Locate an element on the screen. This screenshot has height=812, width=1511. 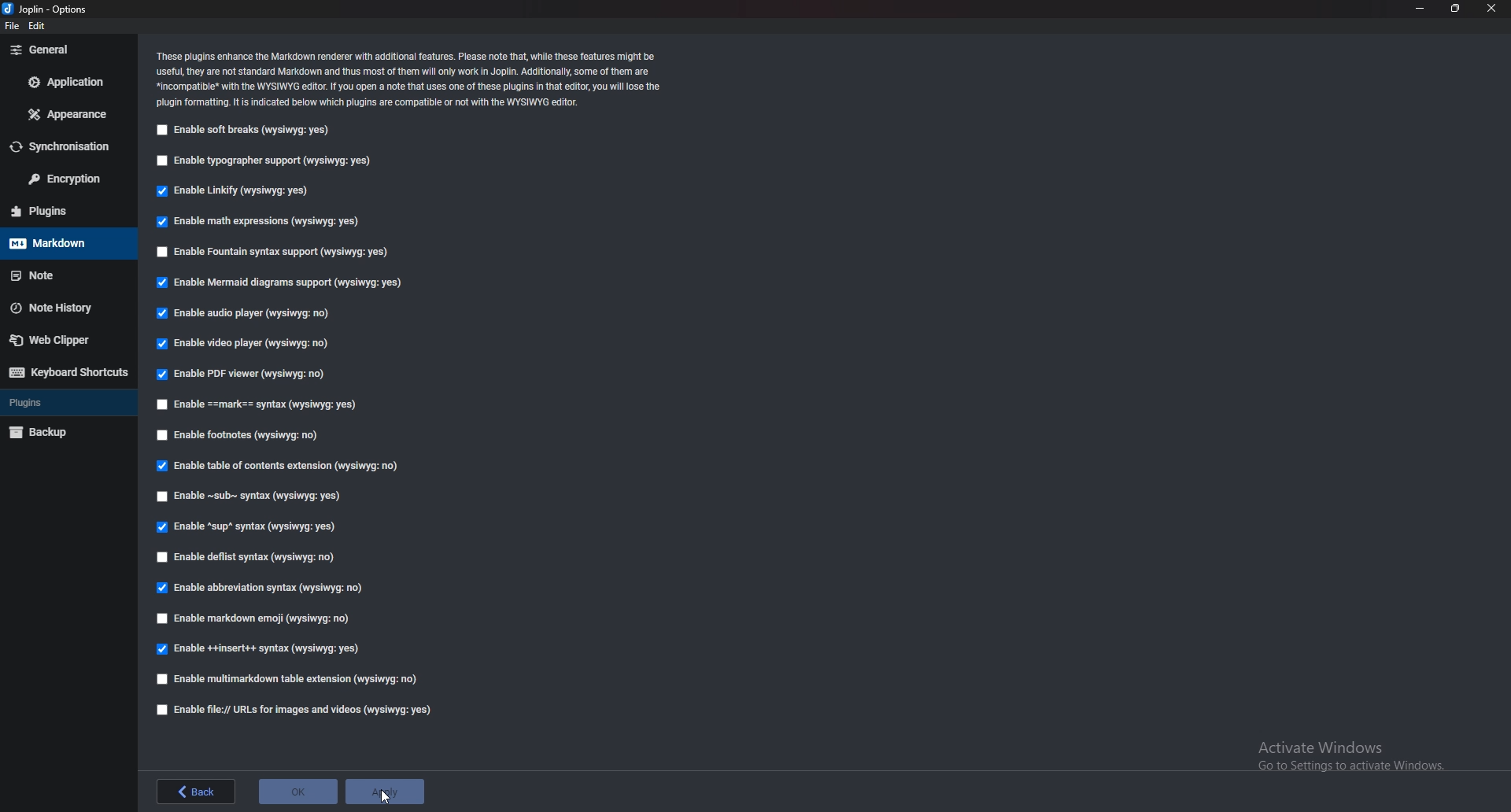
Enable PDF viewer is located at coordinates (244, 374).